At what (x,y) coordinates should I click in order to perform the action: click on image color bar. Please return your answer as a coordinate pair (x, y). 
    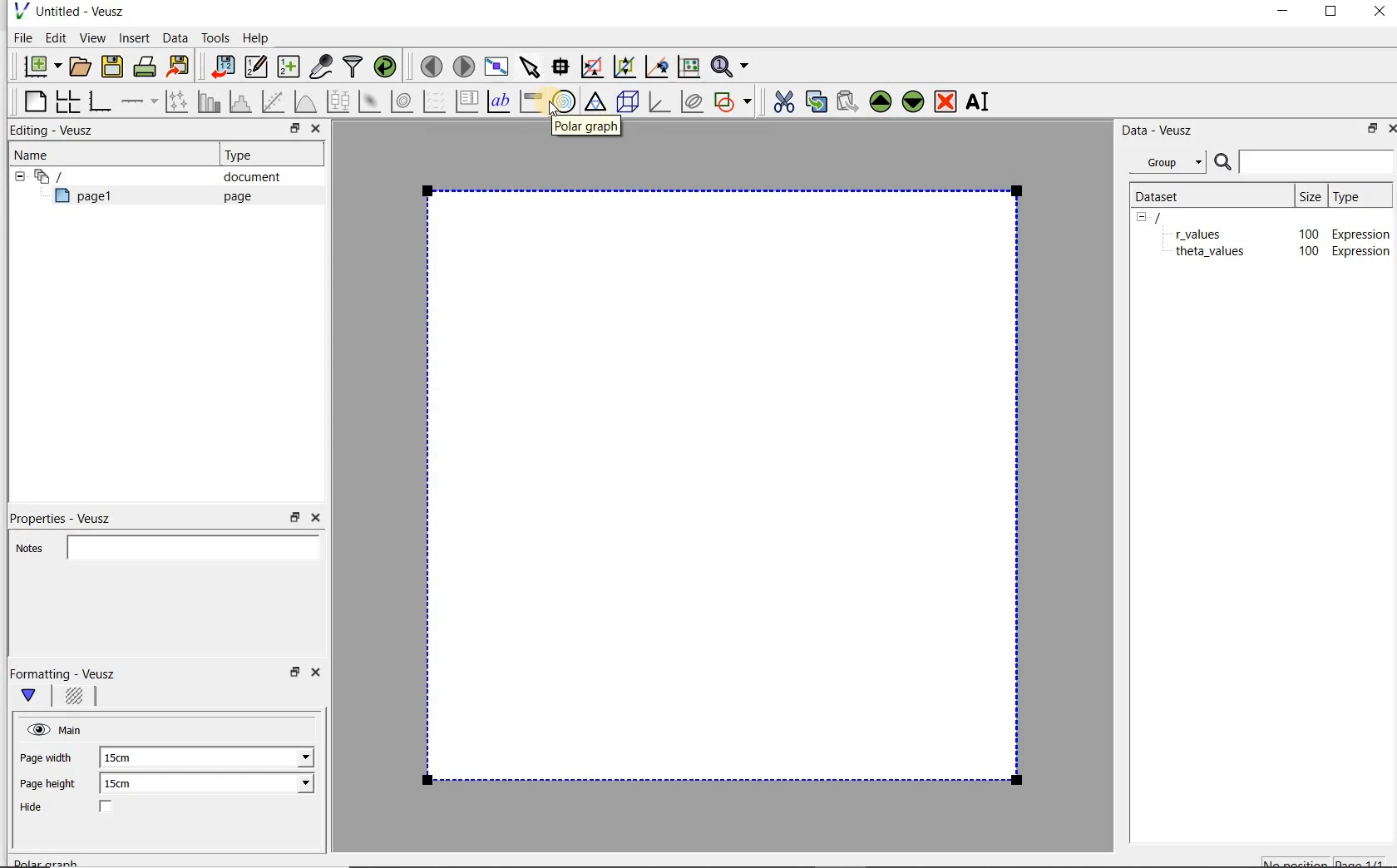
    Looking at the image, I should click on (531, 101).